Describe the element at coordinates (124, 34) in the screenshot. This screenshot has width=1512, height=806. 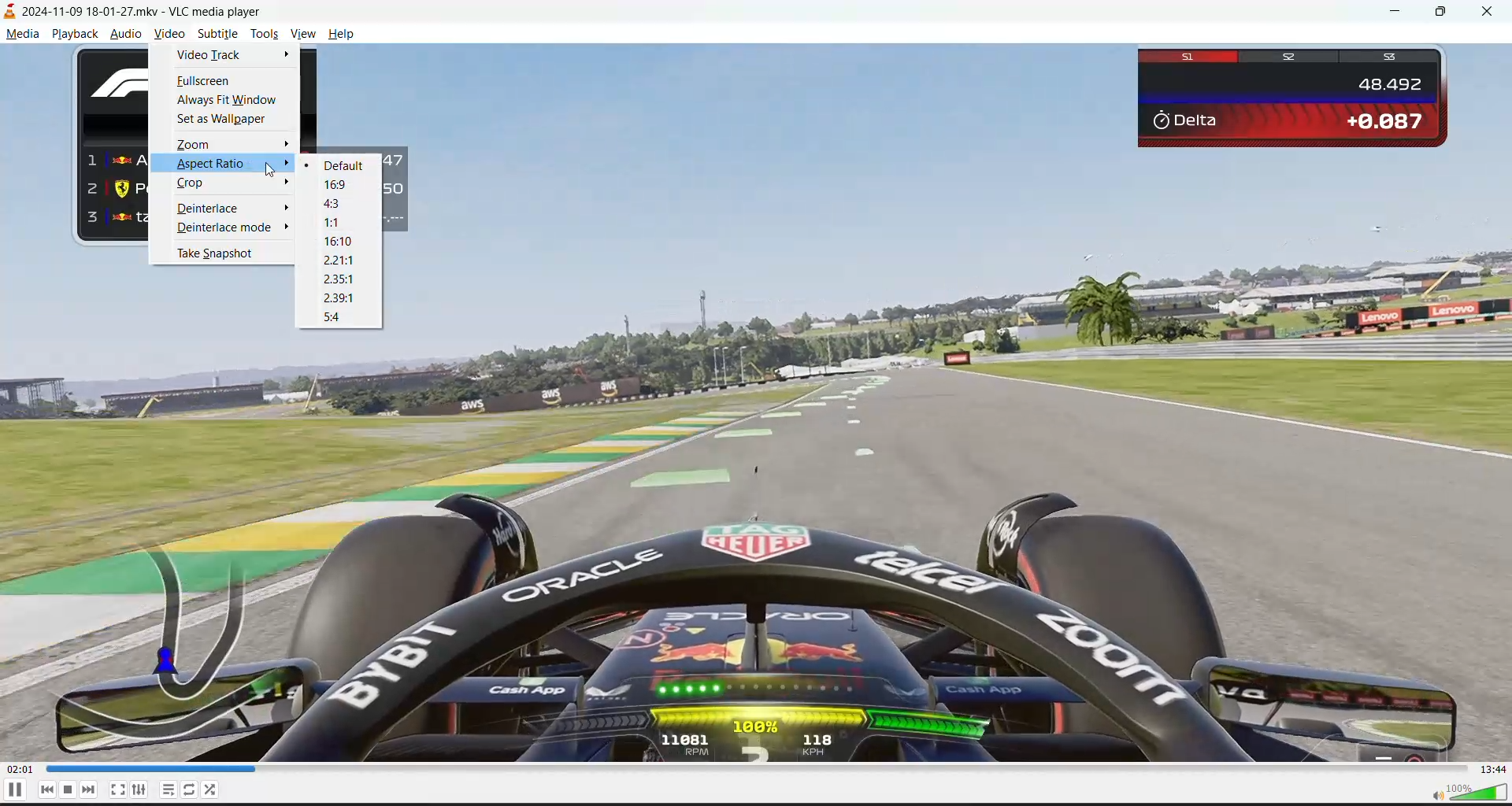
I see `audio` at that location.